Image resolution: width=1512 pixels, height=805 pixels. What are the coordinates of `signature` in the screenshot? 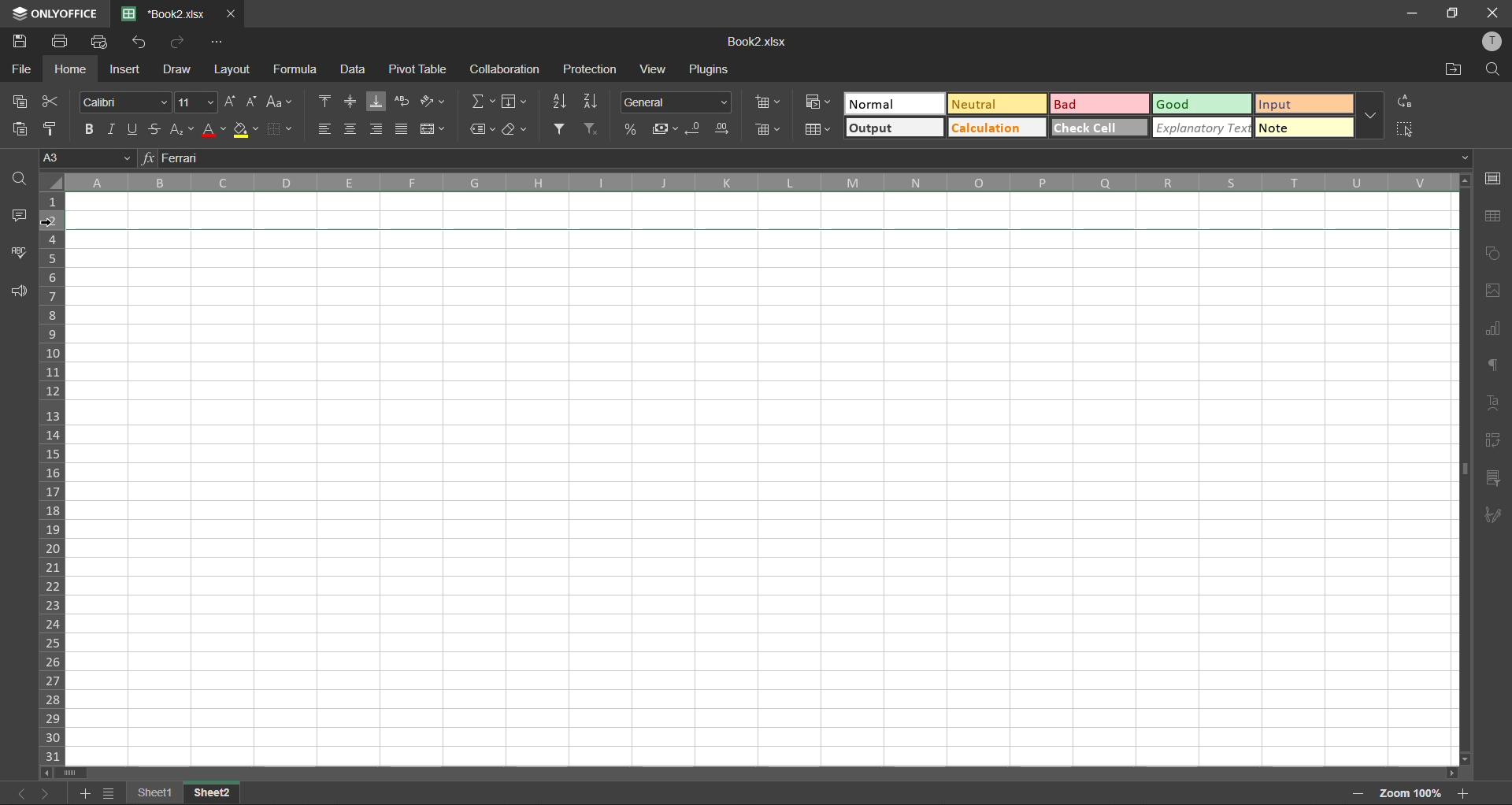 It's located at (1493, 514).